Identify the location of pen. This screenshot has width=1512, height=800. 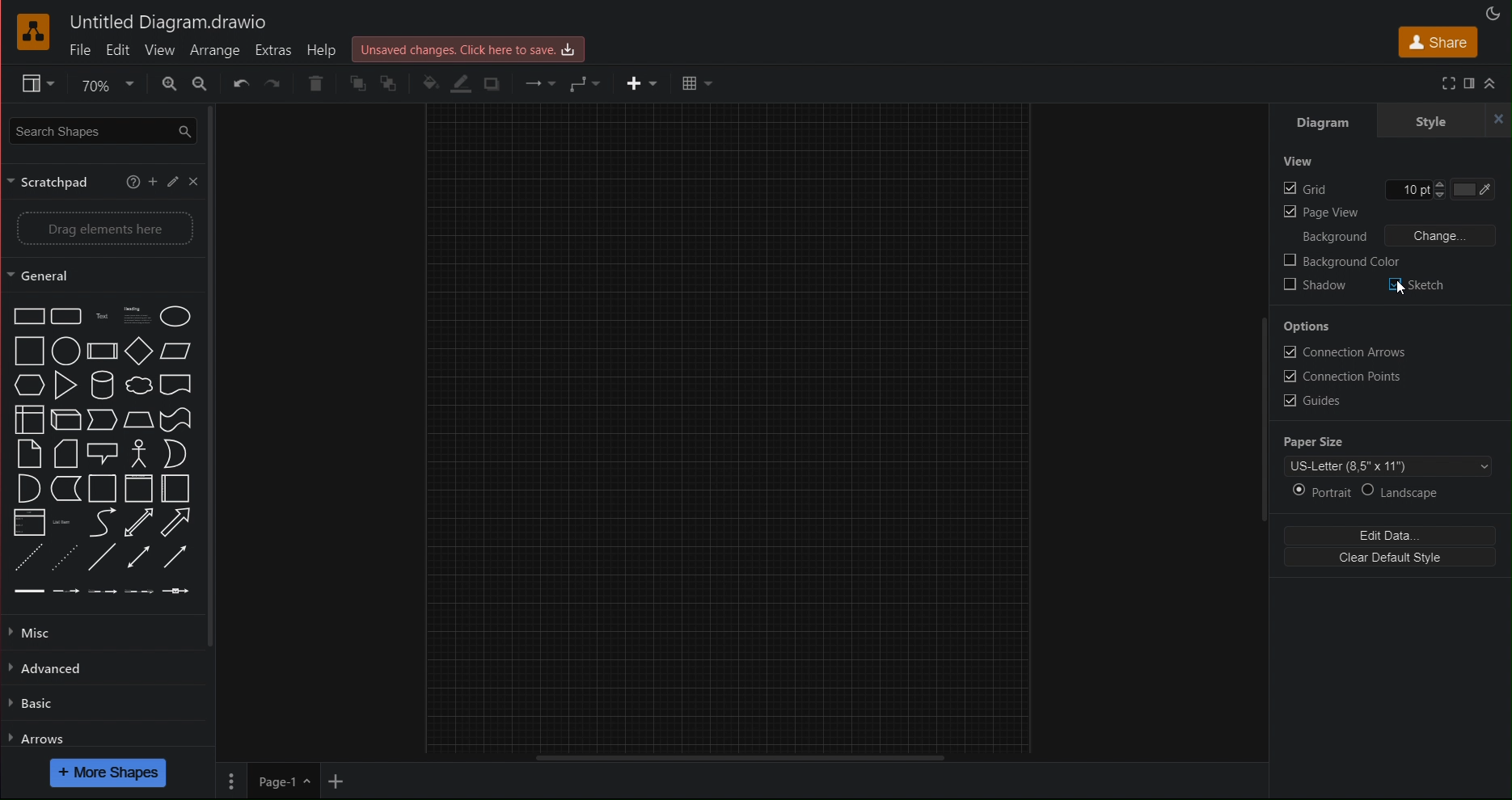
(173, 184).